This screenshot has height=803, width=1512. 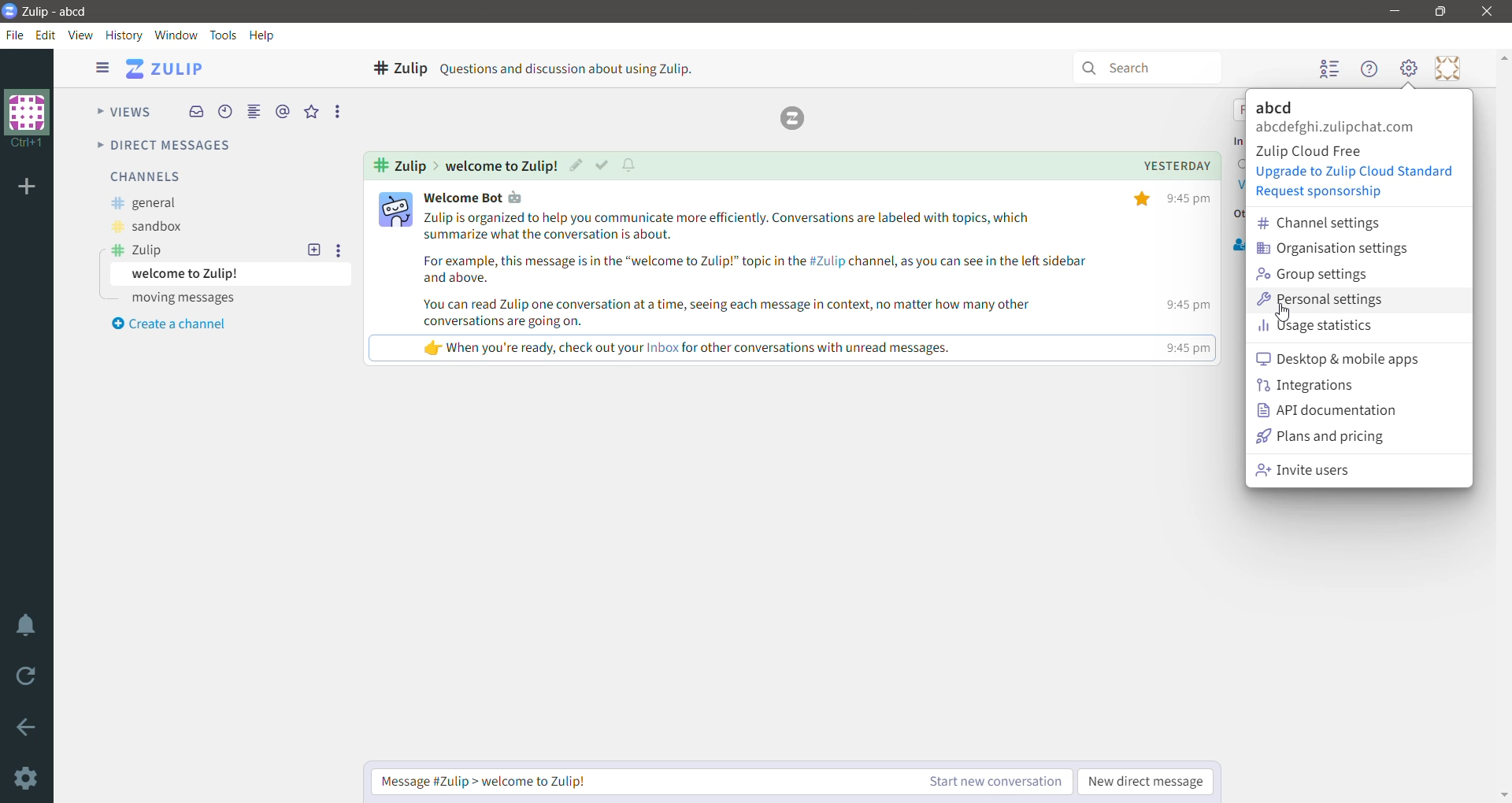 I want to click on pointer, so click(x=1287, y=316).